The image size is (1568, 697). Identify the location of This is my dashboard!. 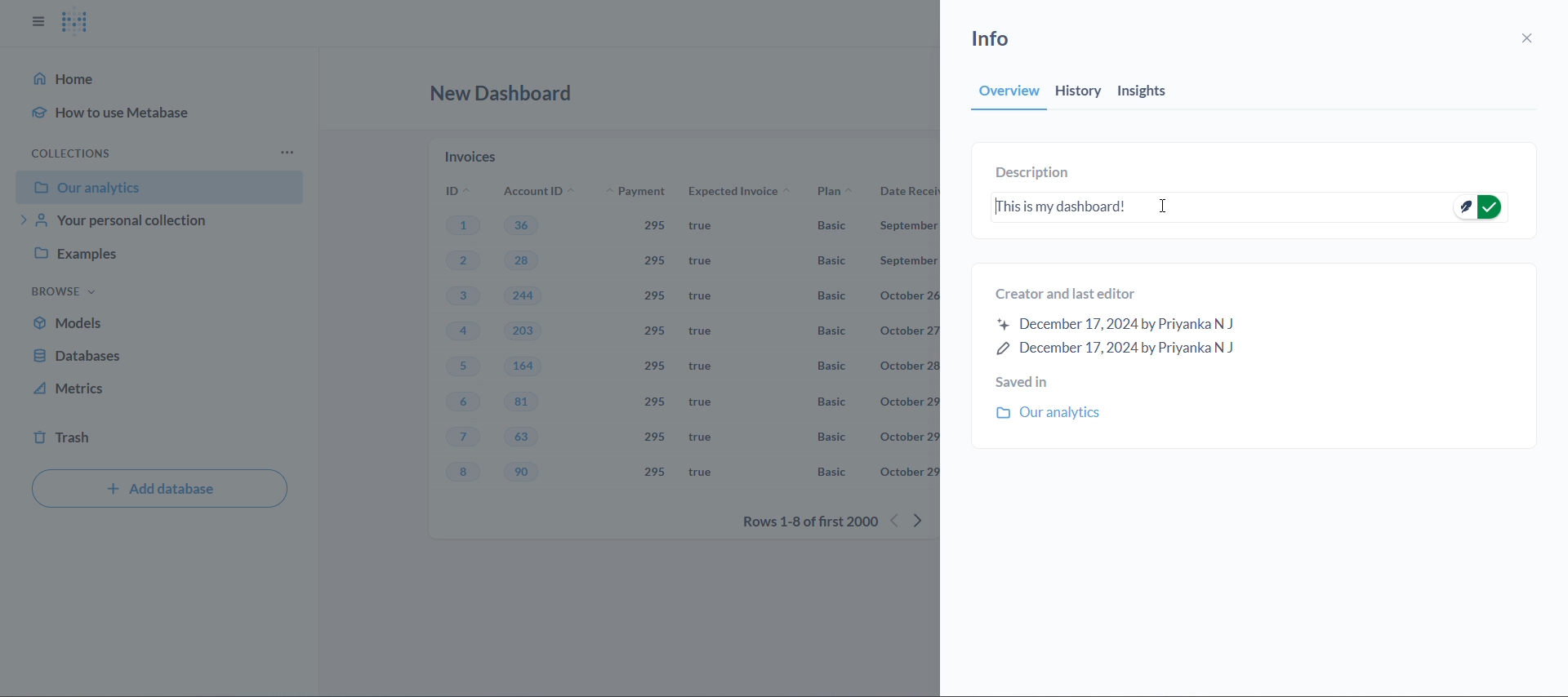
(1252, 207).